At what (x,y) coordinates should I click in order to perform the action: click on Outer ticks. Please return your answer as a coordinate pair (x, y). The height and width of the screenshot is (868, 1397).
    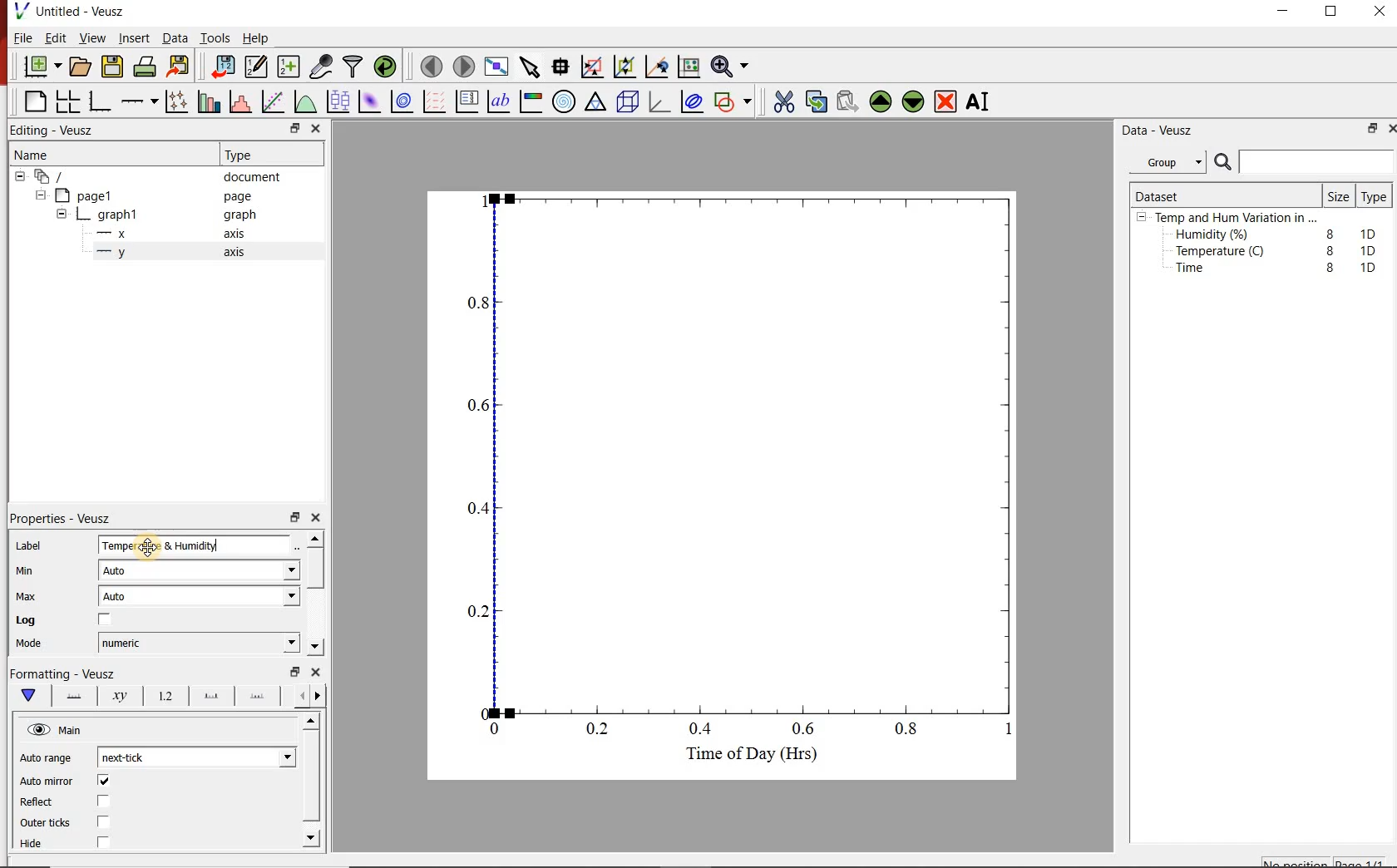
    Looking at the image, I should click on (81, 824).